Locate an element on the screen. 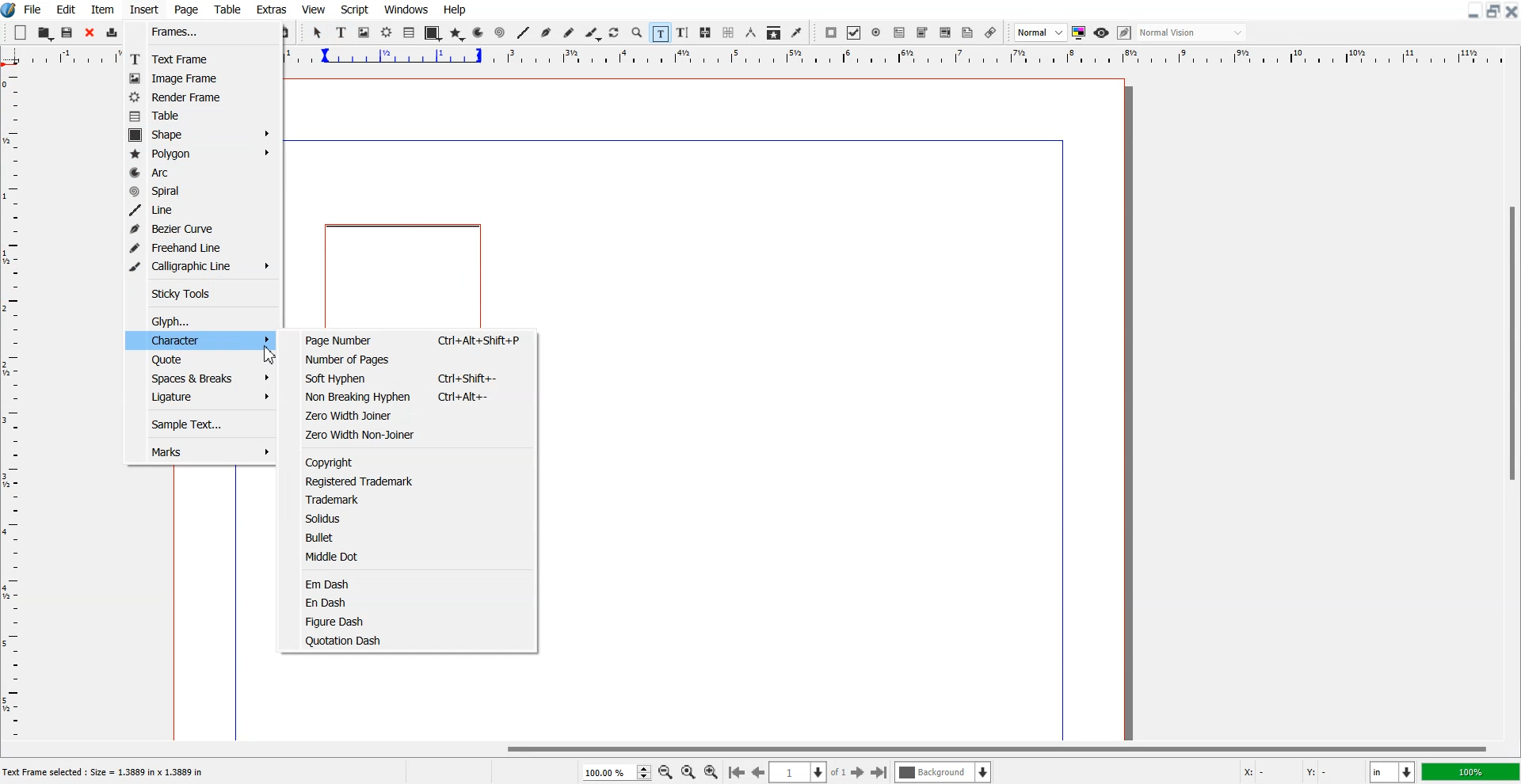  Preview mode is located at coordinates (1102, 32).